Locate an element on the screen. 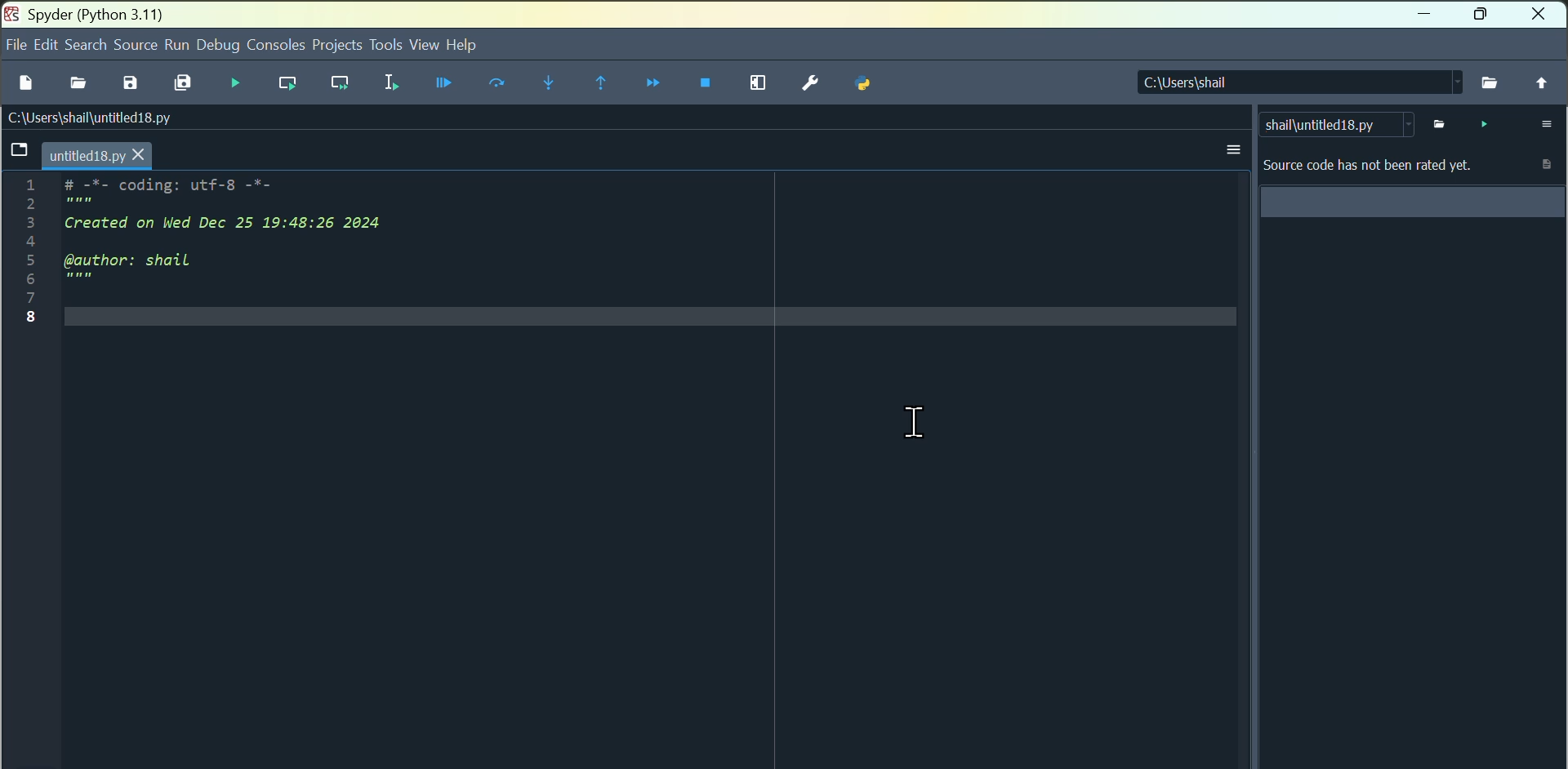  Tools is located at coordinates (385, 51).